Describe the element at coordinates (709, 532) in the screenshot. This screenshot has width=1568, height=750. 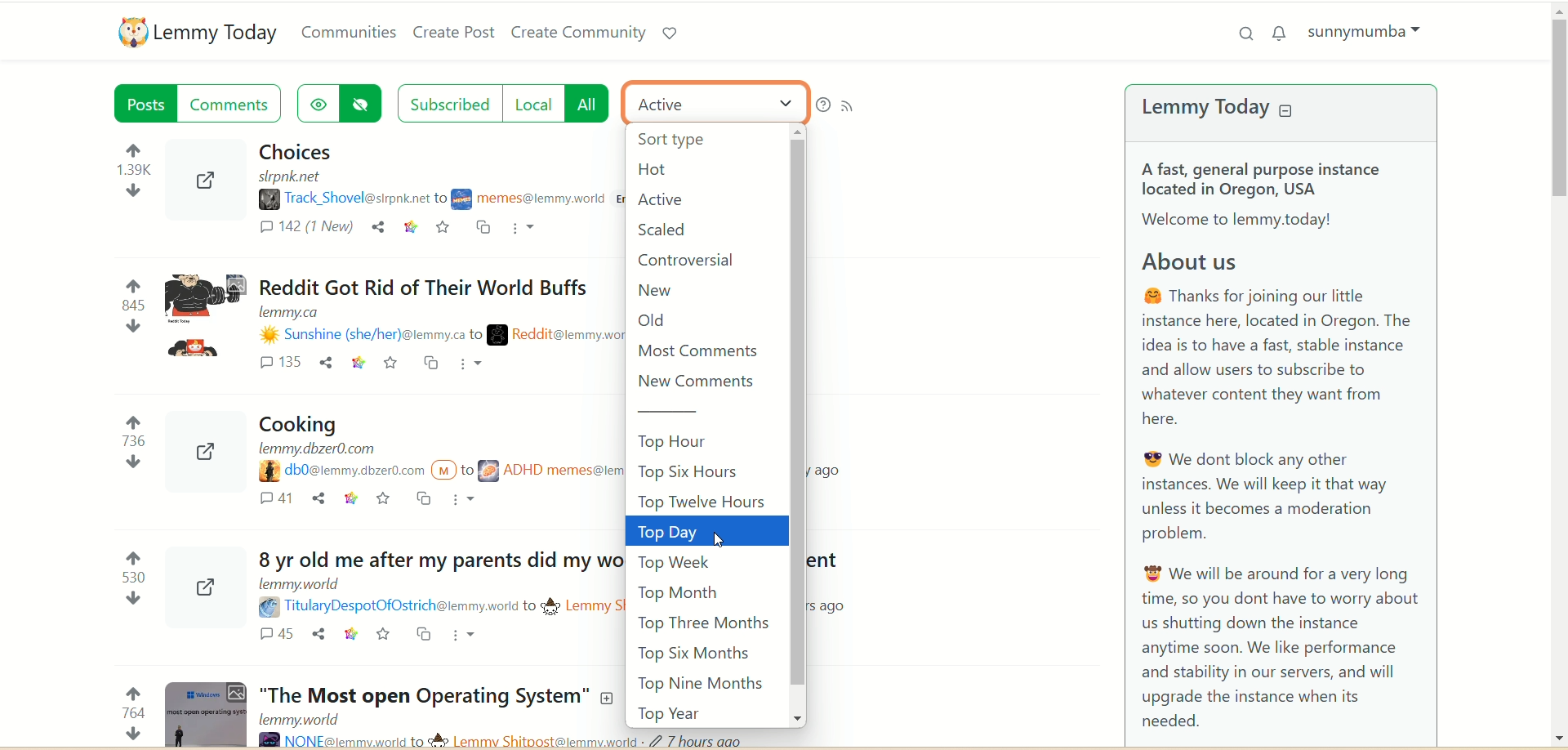
I see `top today` at that location.